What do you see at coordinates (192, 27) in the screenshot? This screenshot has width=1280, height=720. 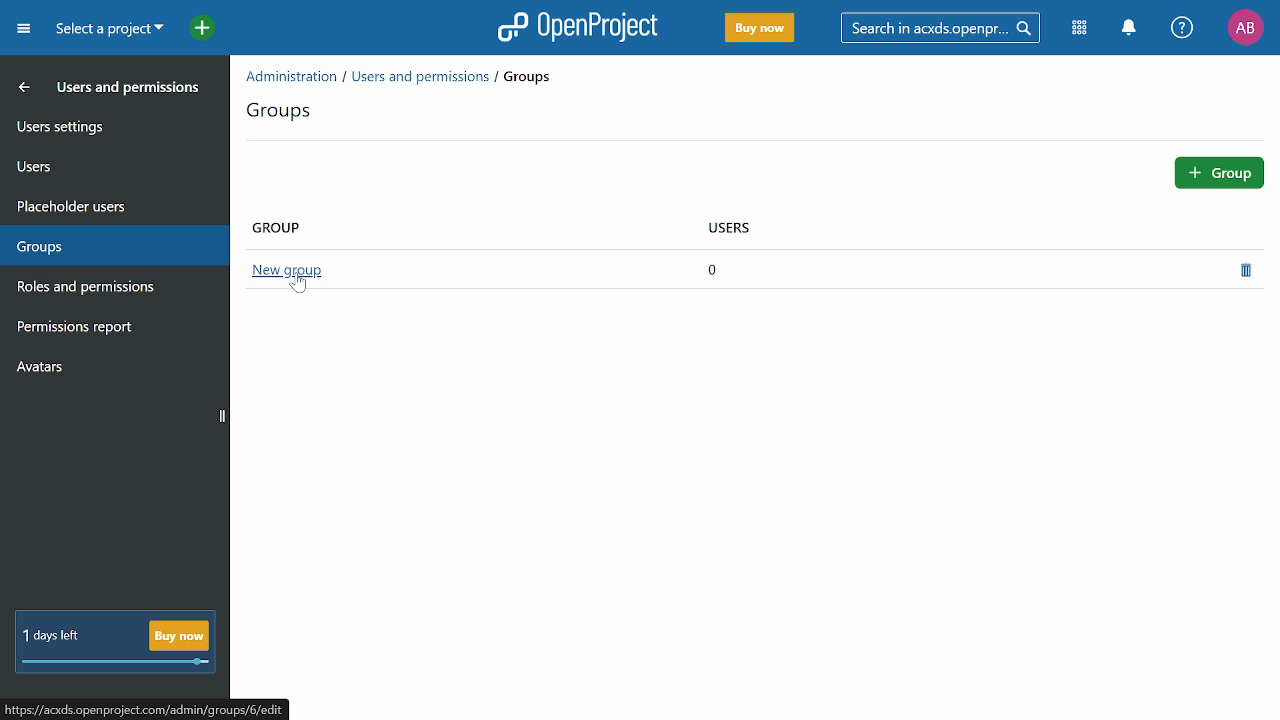 I see `Open quick add menu` at bounding box center [192, 27].